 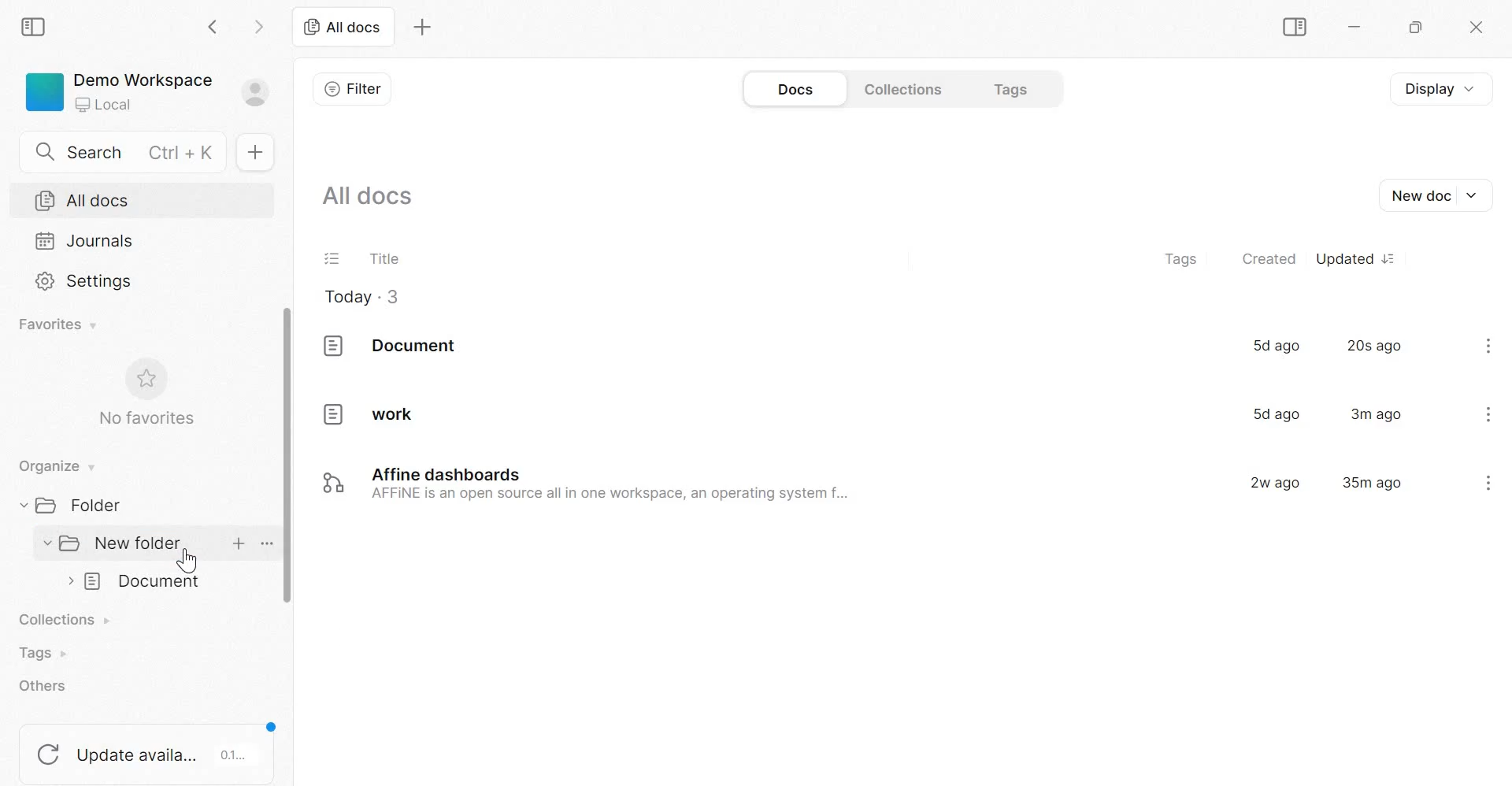 What do you see at coordinates (65, 617) in the screenshot?
I see `collections` at bounding box center [65, 617].